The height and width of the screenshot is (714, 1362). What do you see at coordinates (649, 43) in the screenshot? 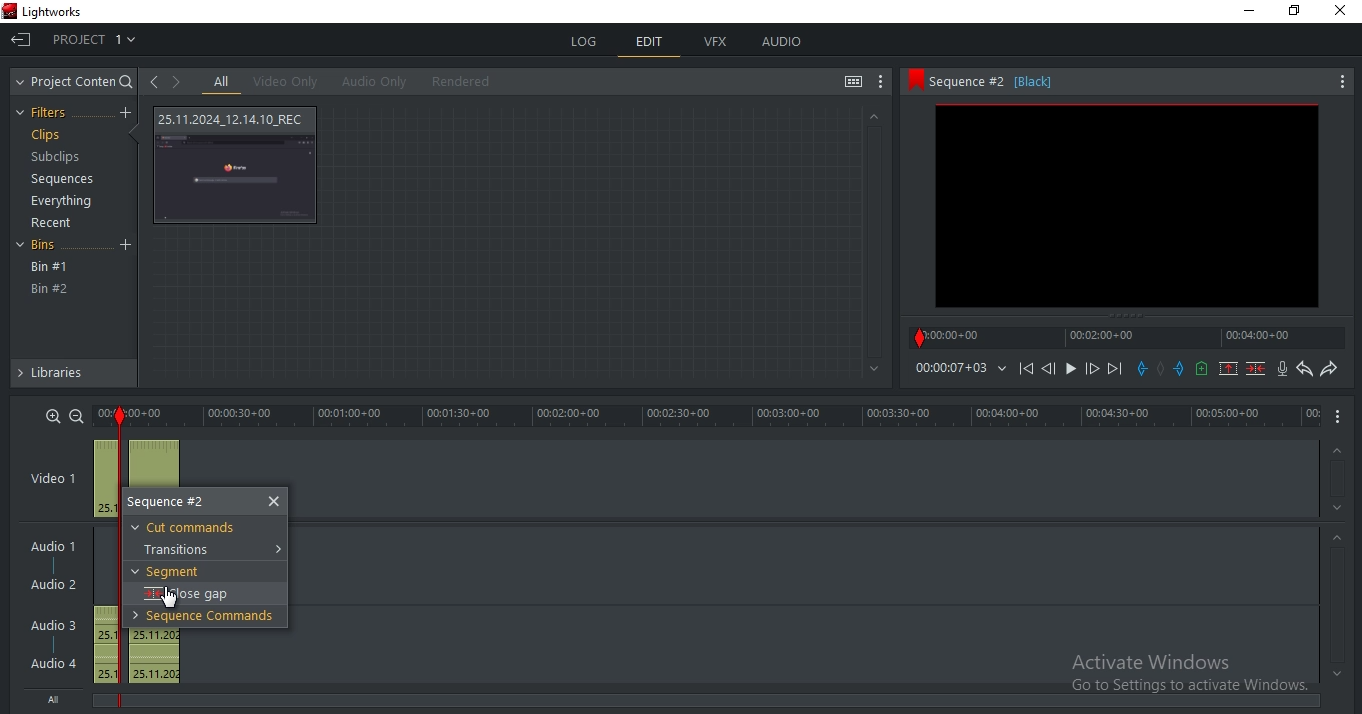
I see `edit` at bounding box center [649, 43].